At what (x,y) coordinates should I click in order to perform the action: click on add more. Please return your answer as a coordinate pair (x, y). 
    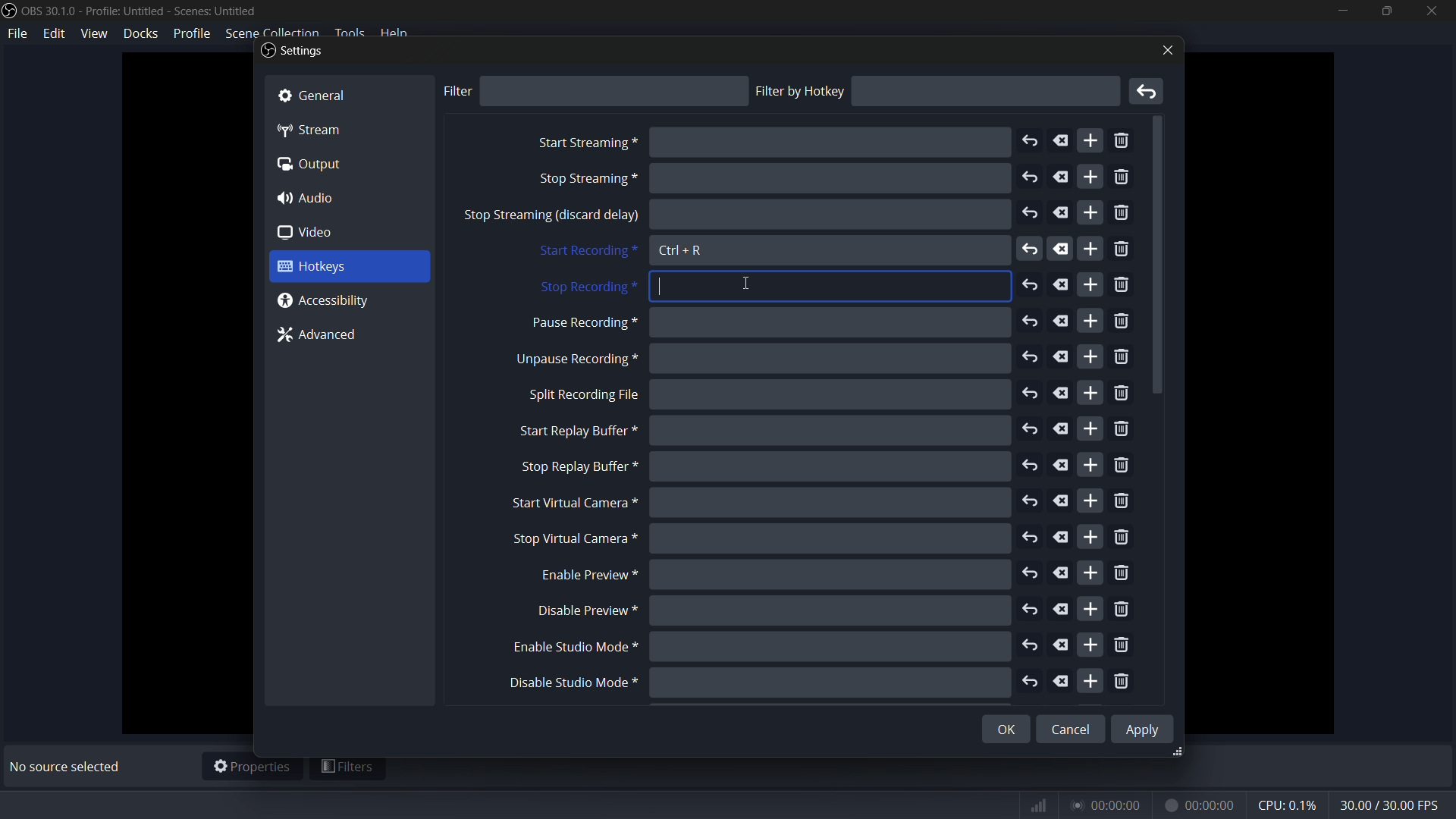
    Looking at the image, I should click on (1091, 392).